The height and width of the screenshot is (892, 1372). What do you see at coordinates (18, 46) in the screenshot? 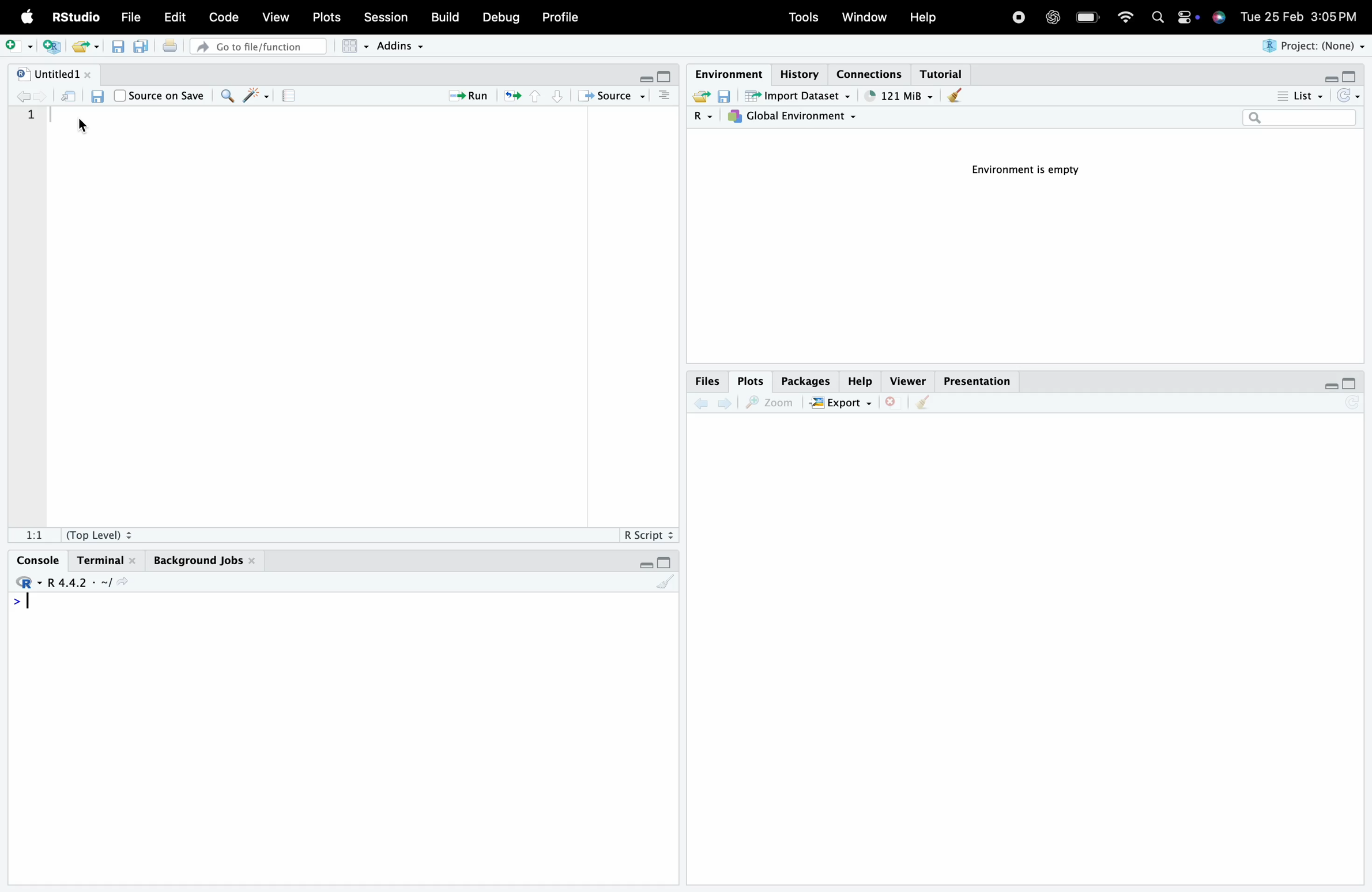
I see `New File` at bounding box center [18, 46].